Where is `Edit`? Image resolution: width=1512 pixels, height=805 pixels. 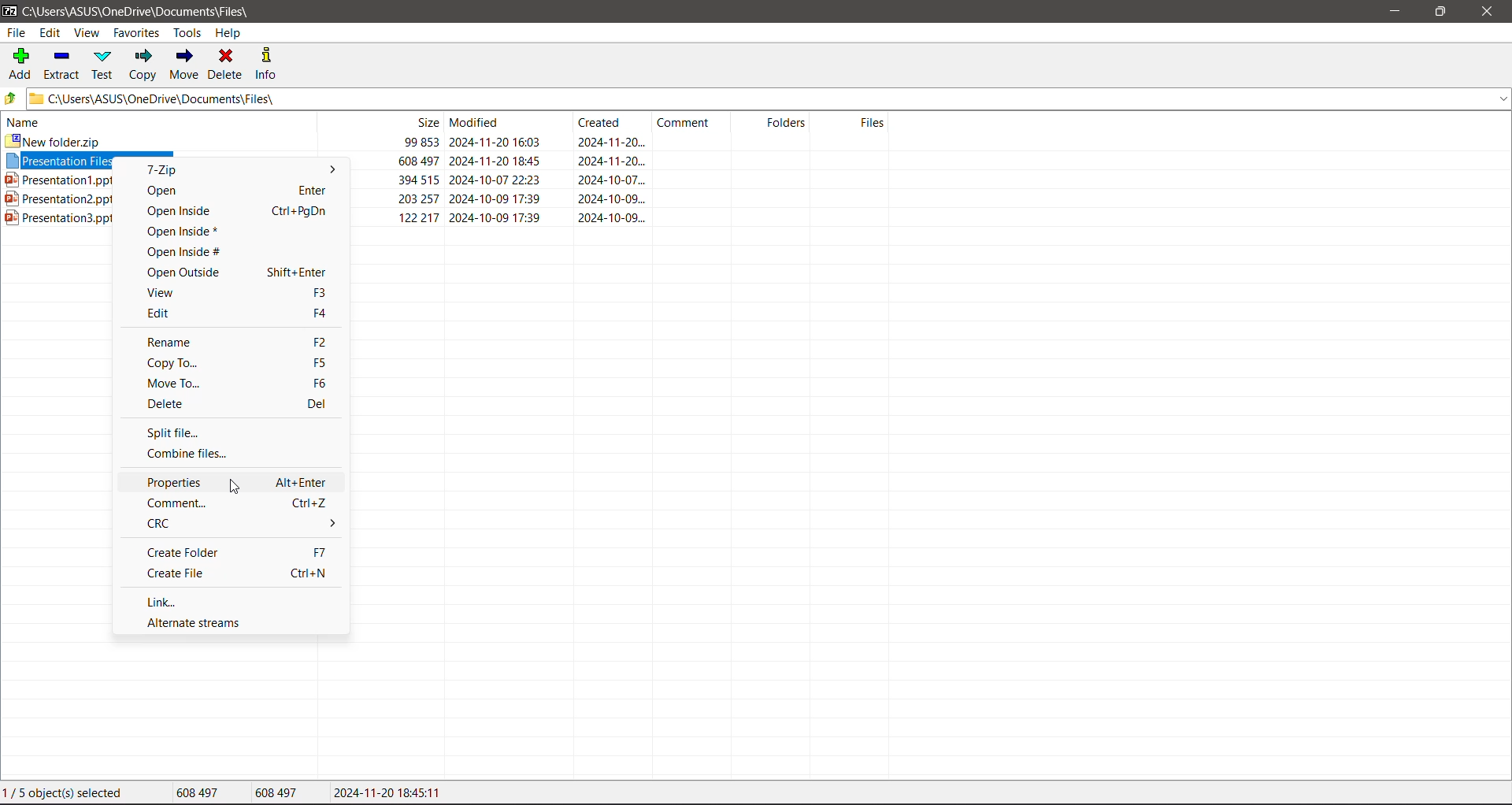
Edit is located at coordinates (52, 32).